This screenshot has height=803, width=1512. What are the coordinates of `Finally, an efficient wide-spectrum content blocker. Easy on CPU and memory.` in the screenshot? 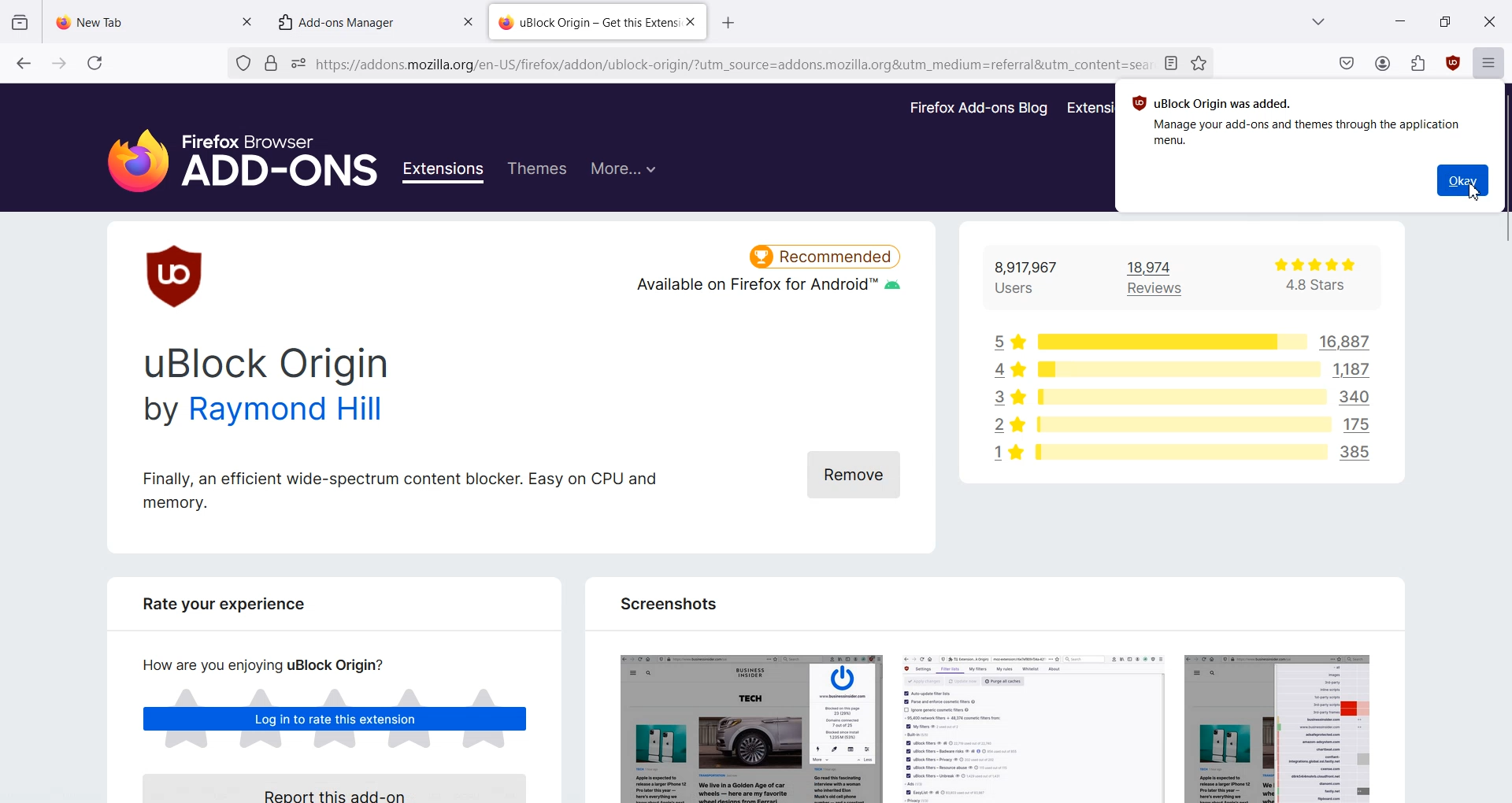 It's located at (400, 489).